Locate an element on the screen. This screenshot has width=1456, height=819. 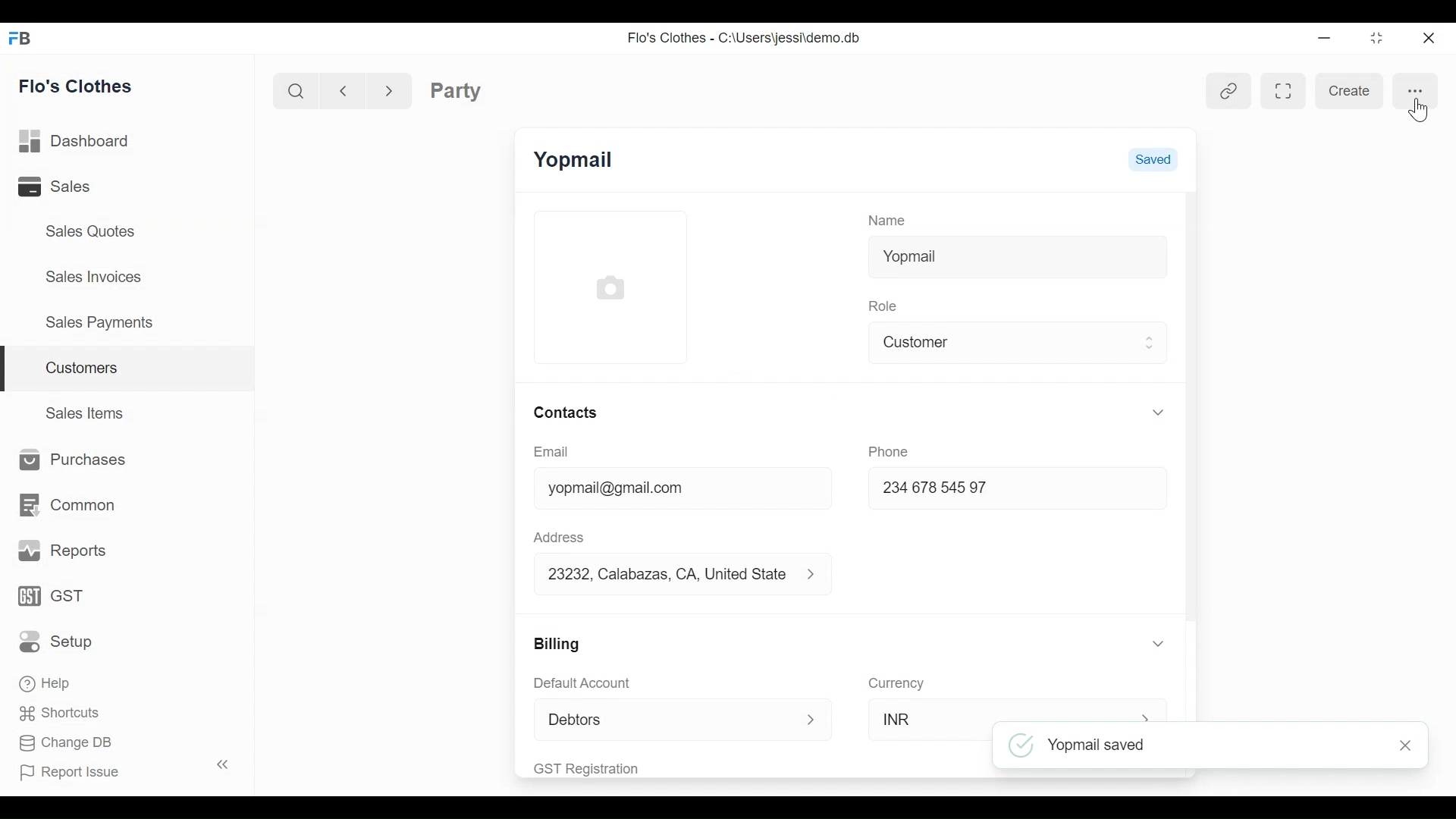
Party is located at coordinates (456, 90).